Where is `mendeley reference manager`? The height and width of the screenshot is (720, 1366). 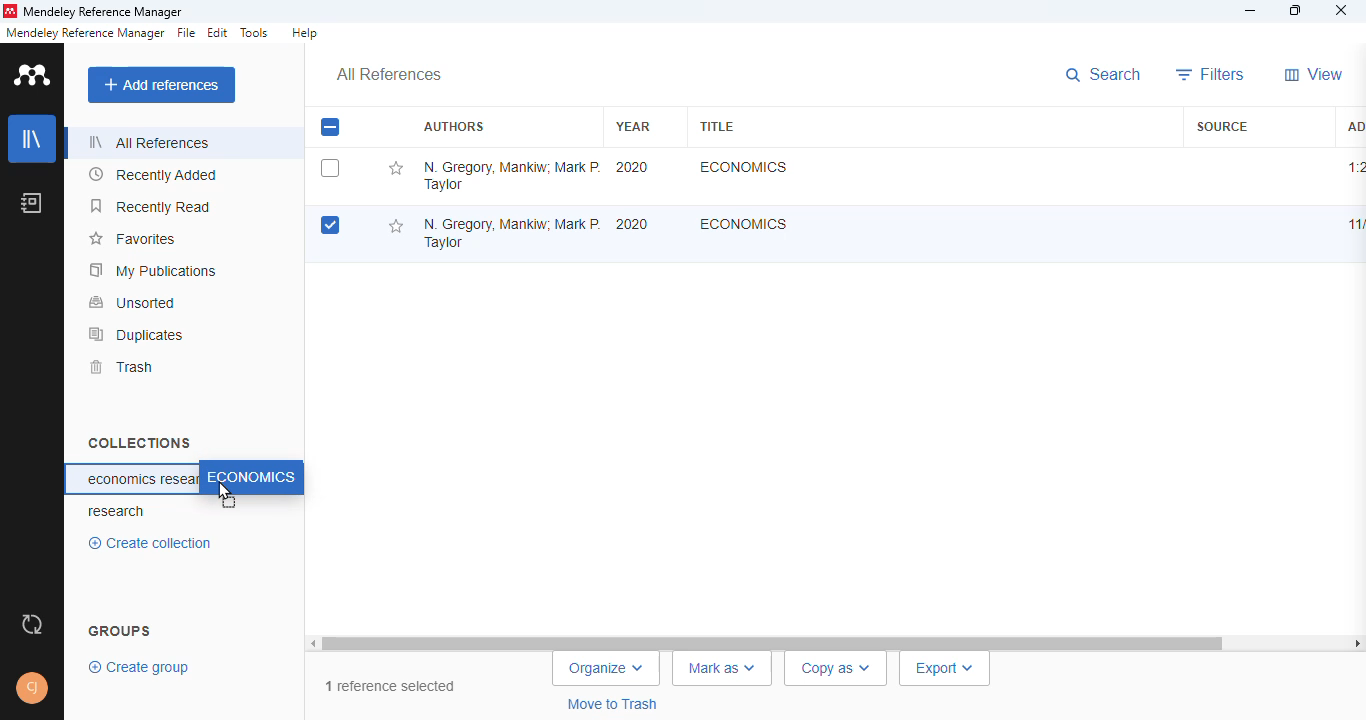
mendeley reference manager is located at coordinates (85, 33).